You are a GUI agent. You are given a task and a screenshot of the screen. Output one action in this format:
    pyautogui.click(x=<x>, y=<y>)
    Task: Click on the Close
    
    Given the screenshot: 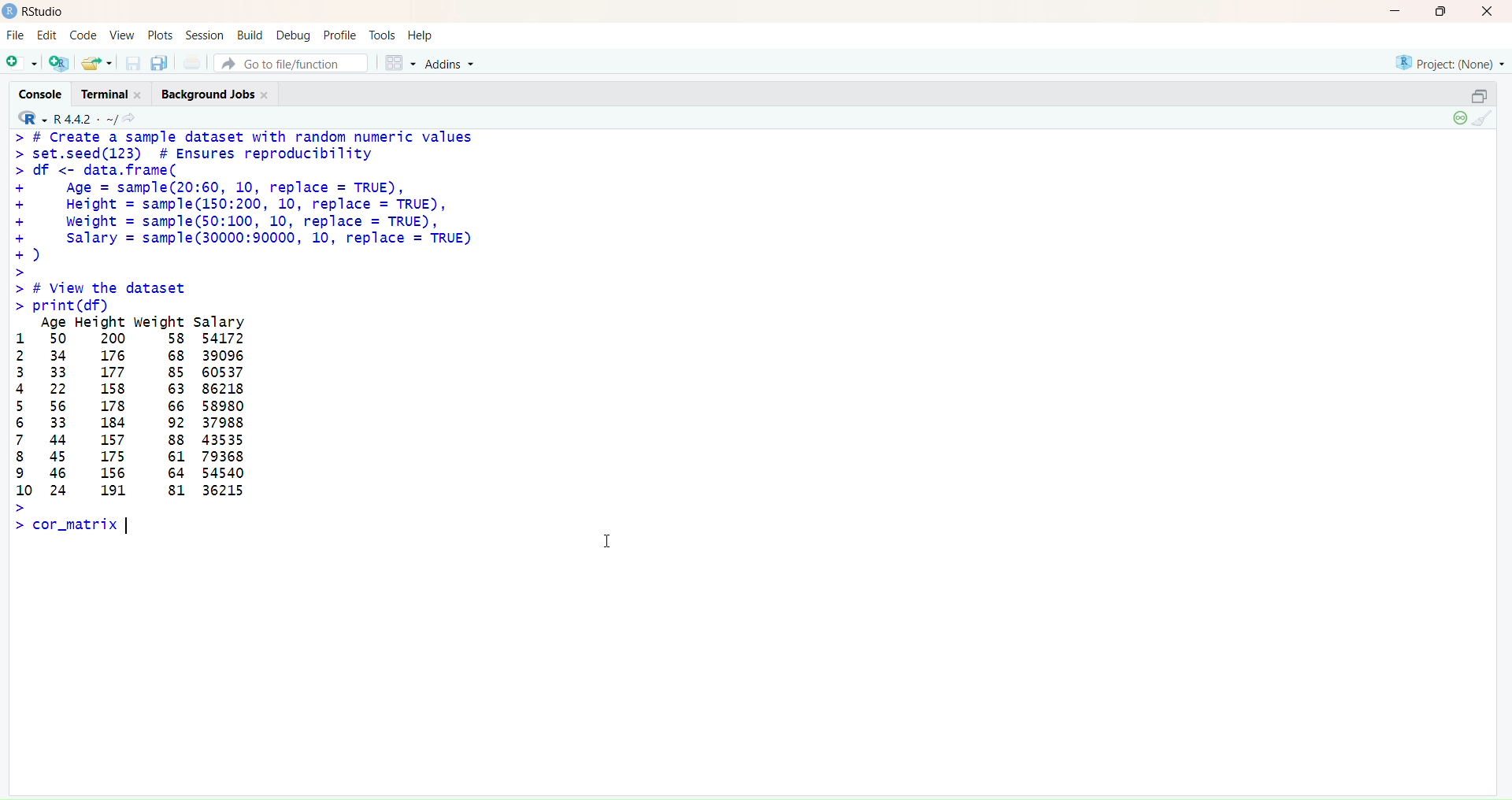 What is the action you would take?
    pyautogui.click(x=1485, y=13)
    